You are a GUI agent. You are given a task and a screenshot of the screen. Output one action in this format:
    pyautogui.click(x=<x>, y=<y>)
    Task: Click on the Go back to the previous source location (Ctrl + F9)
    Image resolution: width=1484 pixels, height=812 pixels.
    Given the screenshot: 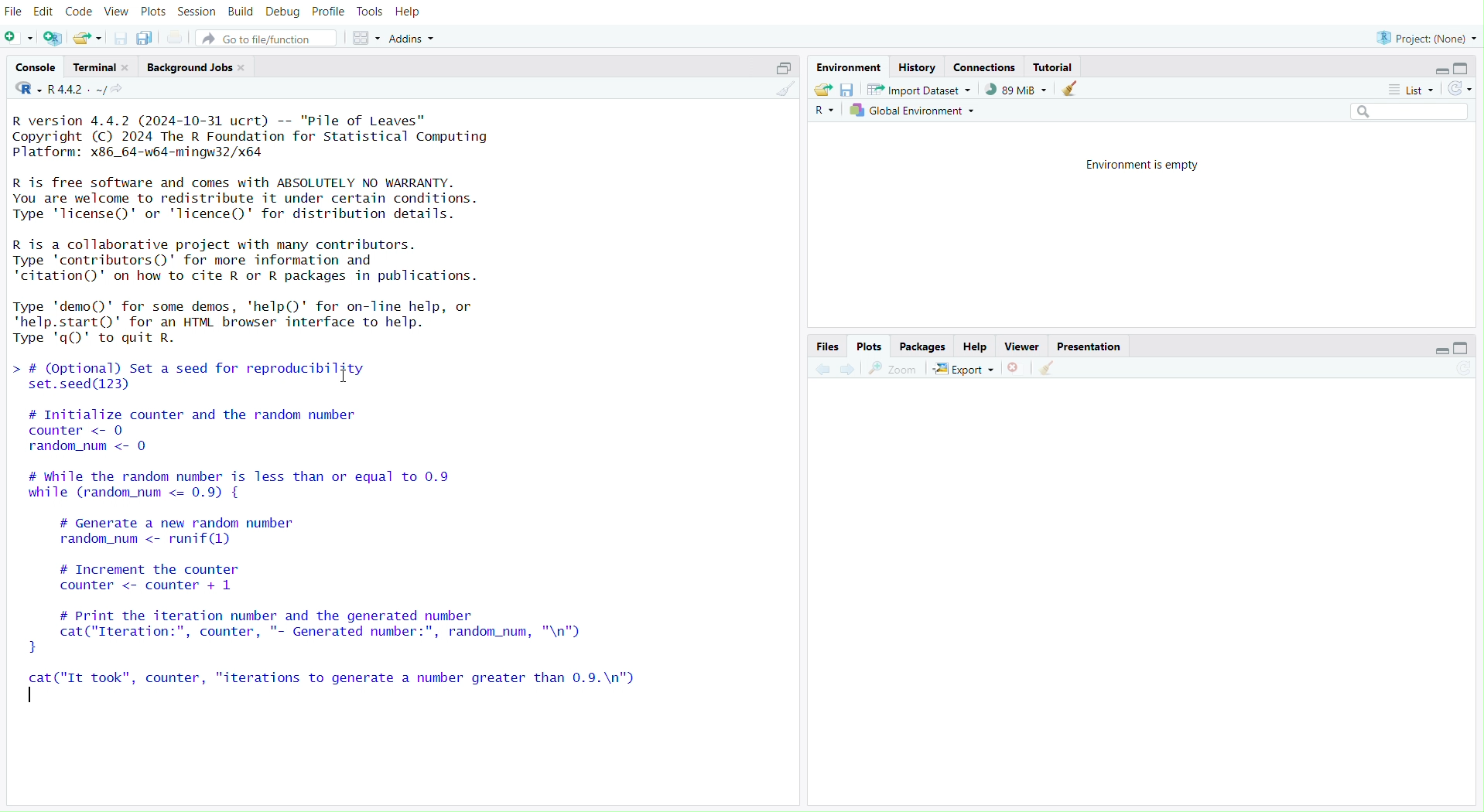 What is the action you would take?
    pyautogui.click(x=822, y=369)
    